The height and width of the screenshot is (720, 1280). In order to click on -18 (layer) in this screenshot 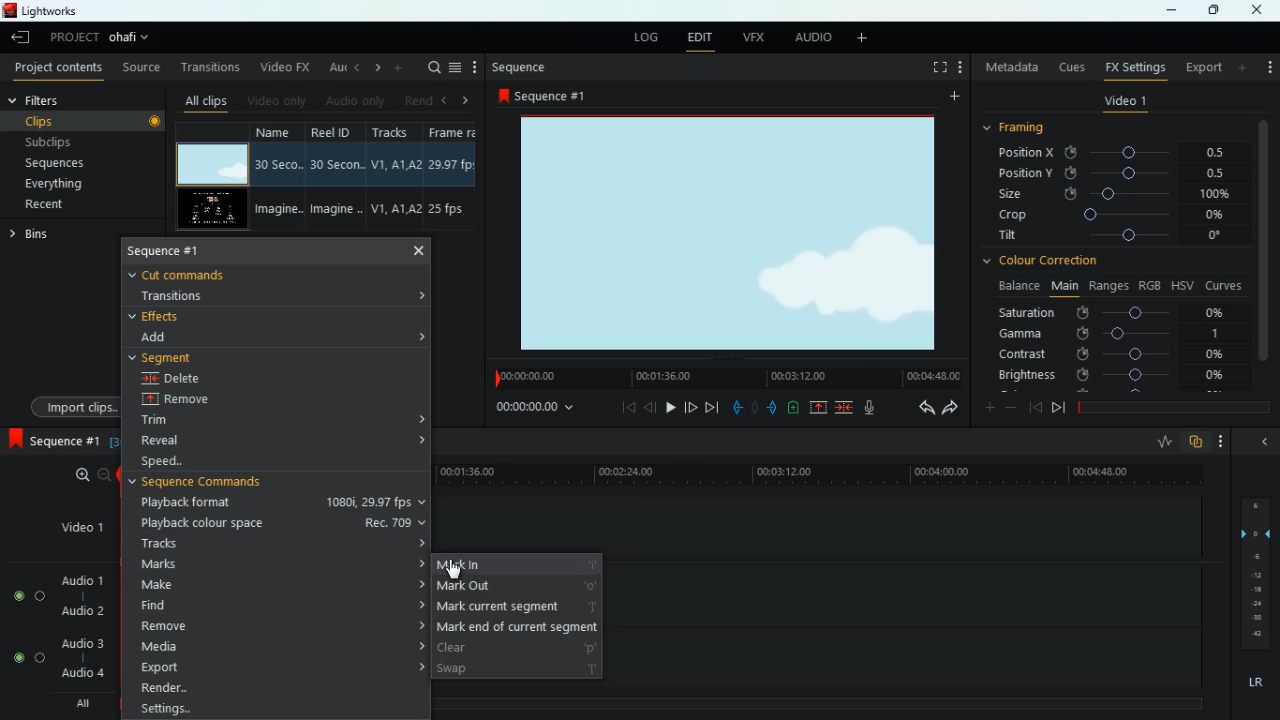, I will do `click(1257, 590)`.